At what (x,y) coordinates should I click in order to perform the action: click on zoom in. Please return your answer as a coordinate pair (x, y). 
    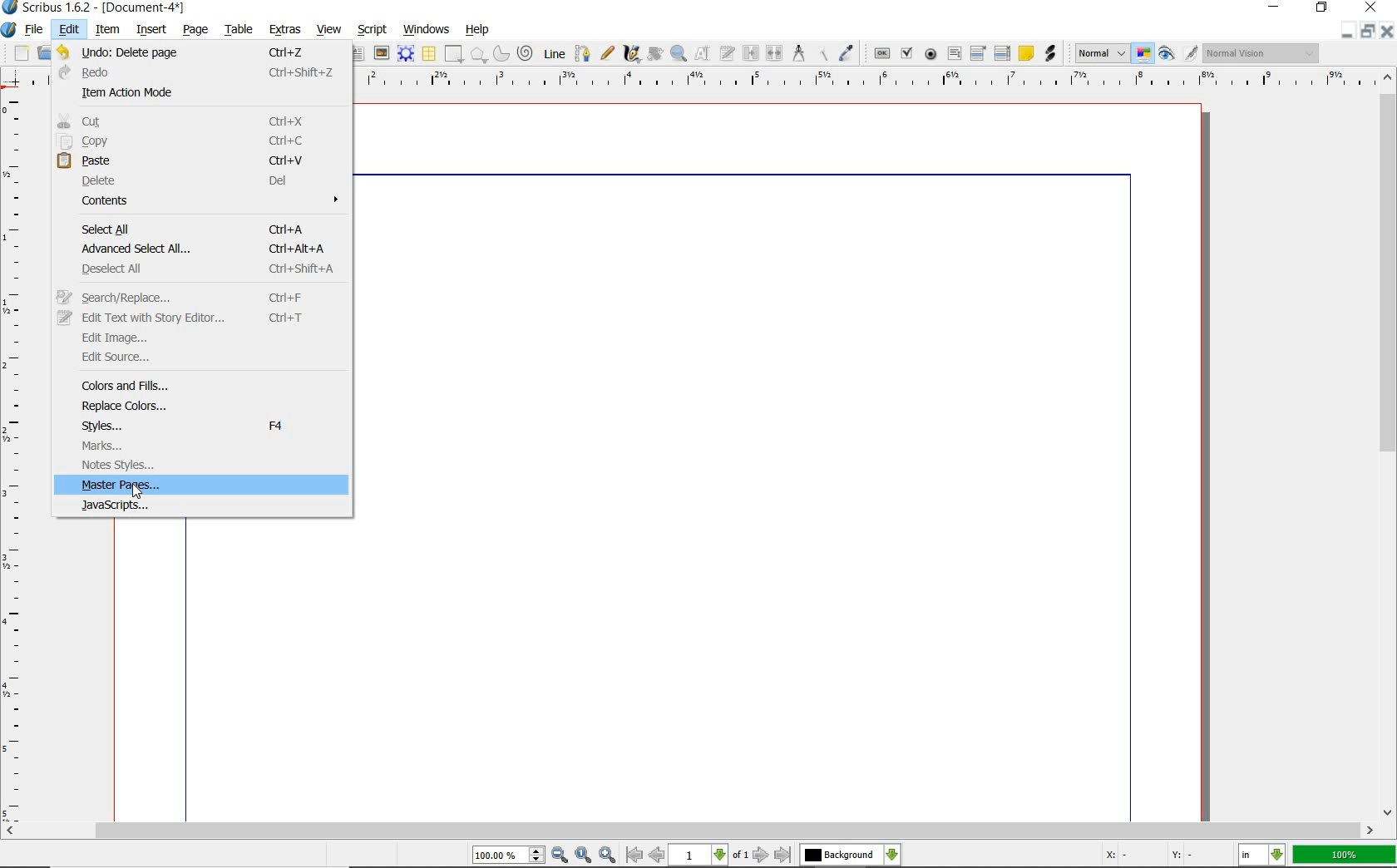
    Looking at the image, I should click on (607, 854).